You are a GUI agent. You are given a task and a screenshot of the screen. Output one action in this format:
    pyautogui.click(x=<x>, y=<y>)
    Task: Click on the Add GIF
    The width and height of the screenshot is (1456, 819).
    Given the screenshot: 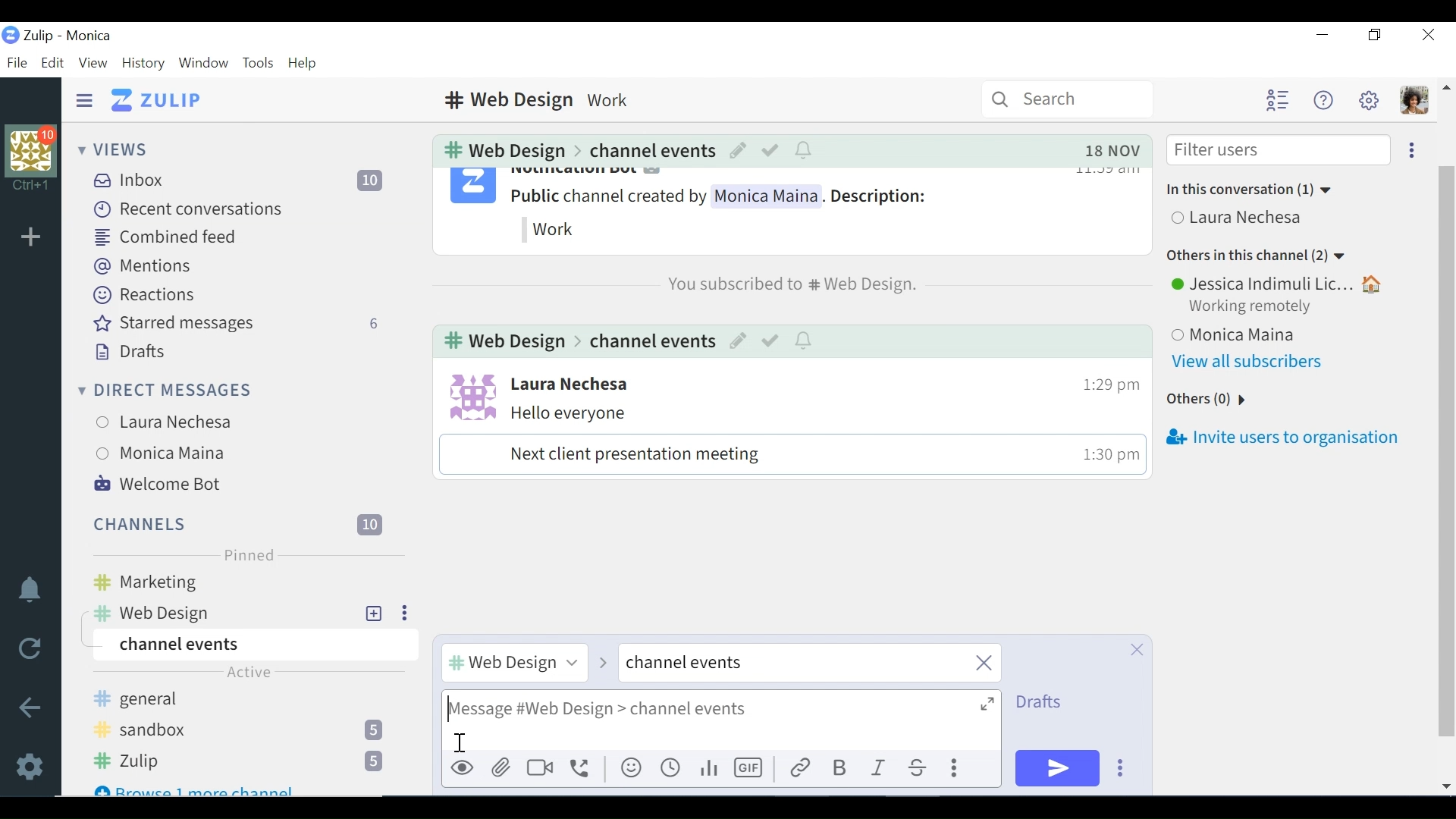 What is the action you would take?
    pyautogui.click(x=752, y=768)
    